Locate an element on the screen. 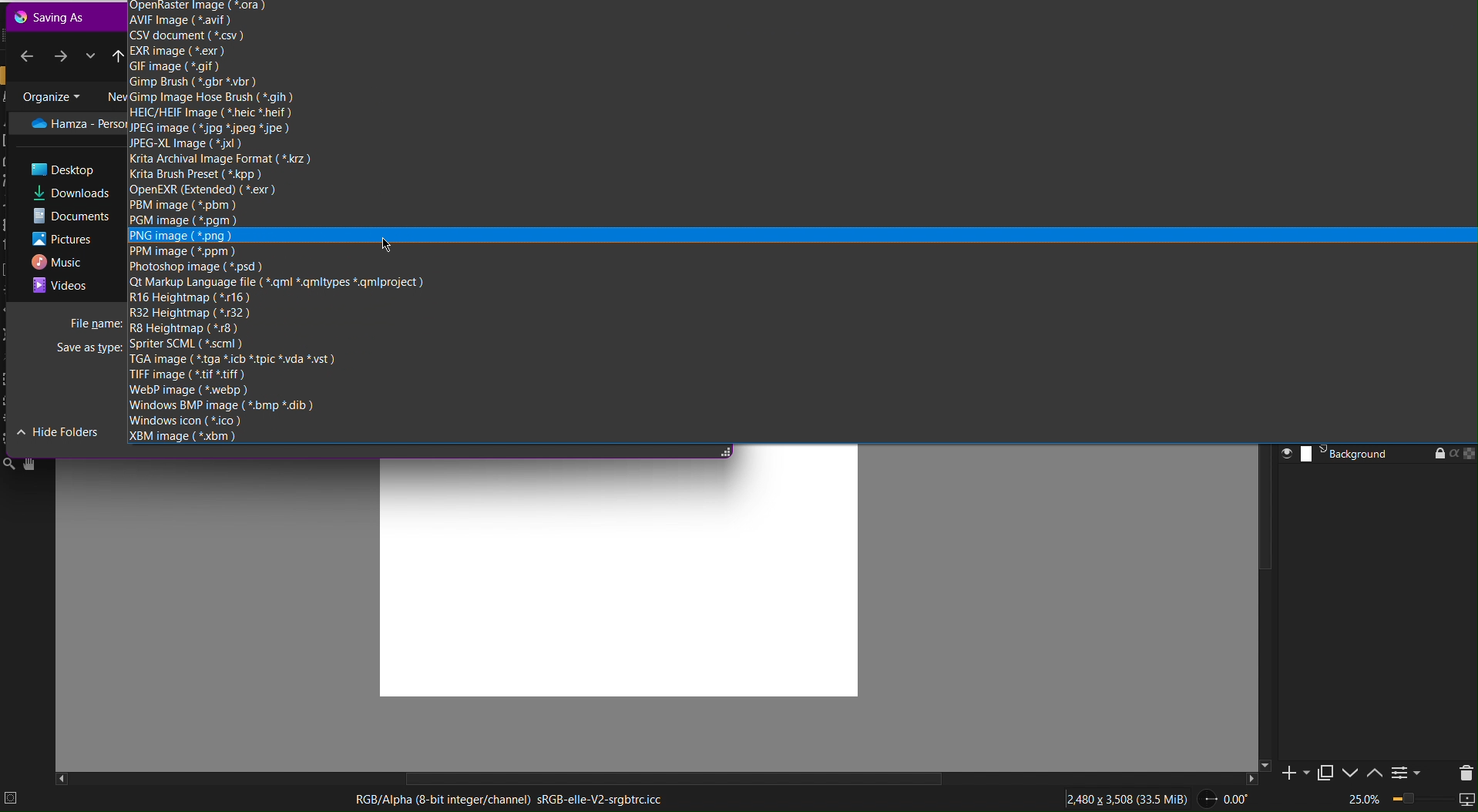  Save as type is located at coordinates (90, 350).